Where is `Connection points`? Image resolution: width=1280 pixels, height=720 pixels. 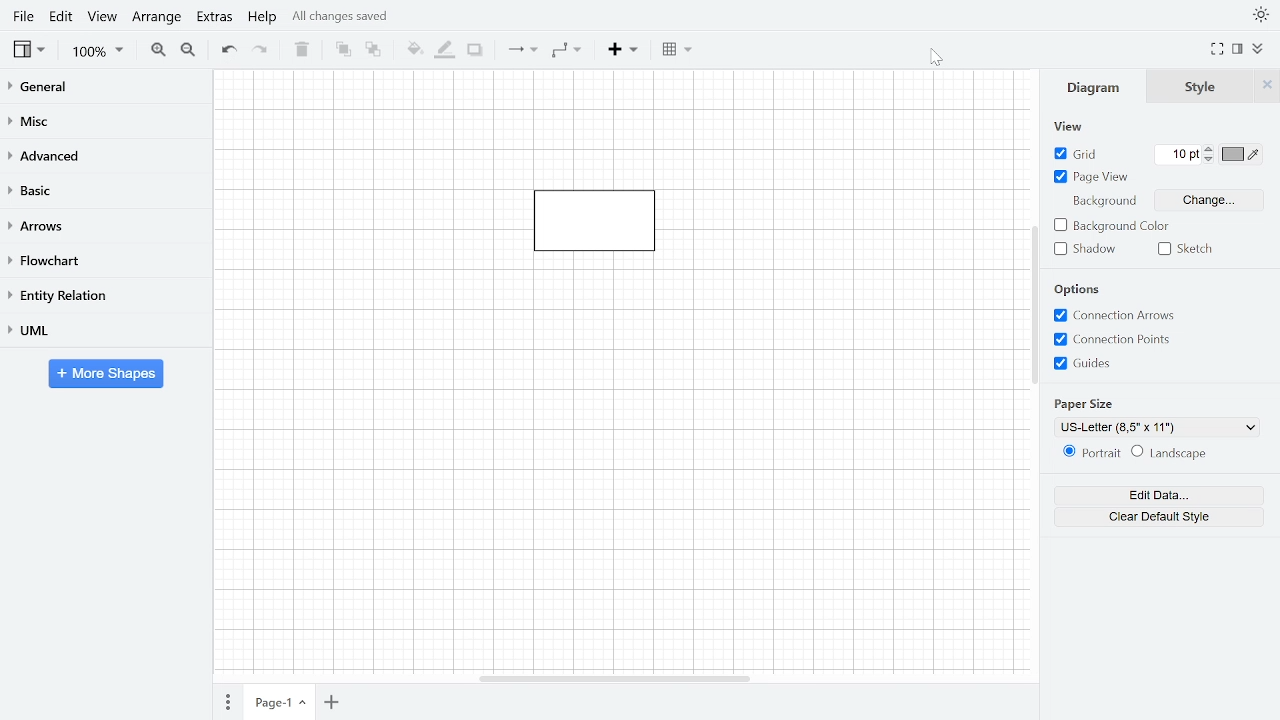
Connection points is located at coordinates (1118, 339).